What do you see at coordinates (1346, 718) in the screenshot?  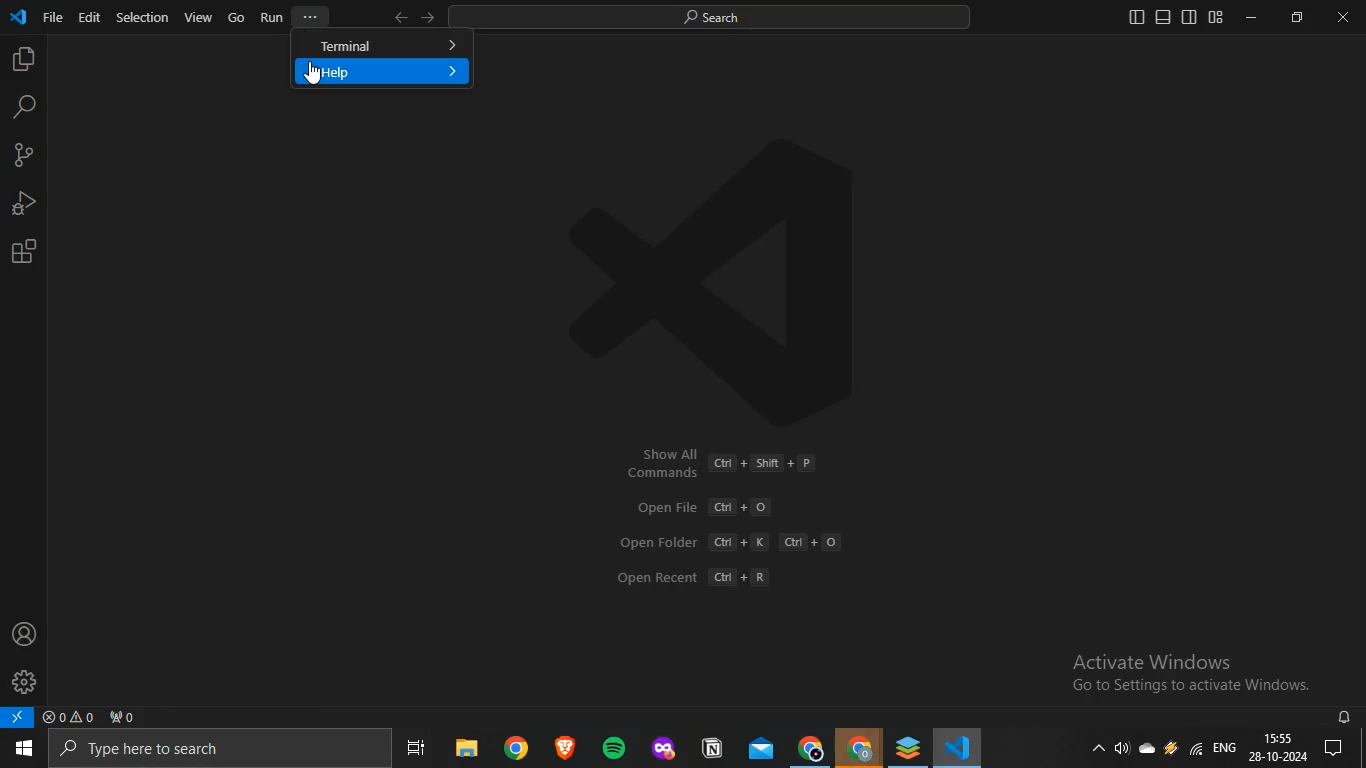 I see `notifications` at bounding box center [1346, 718].